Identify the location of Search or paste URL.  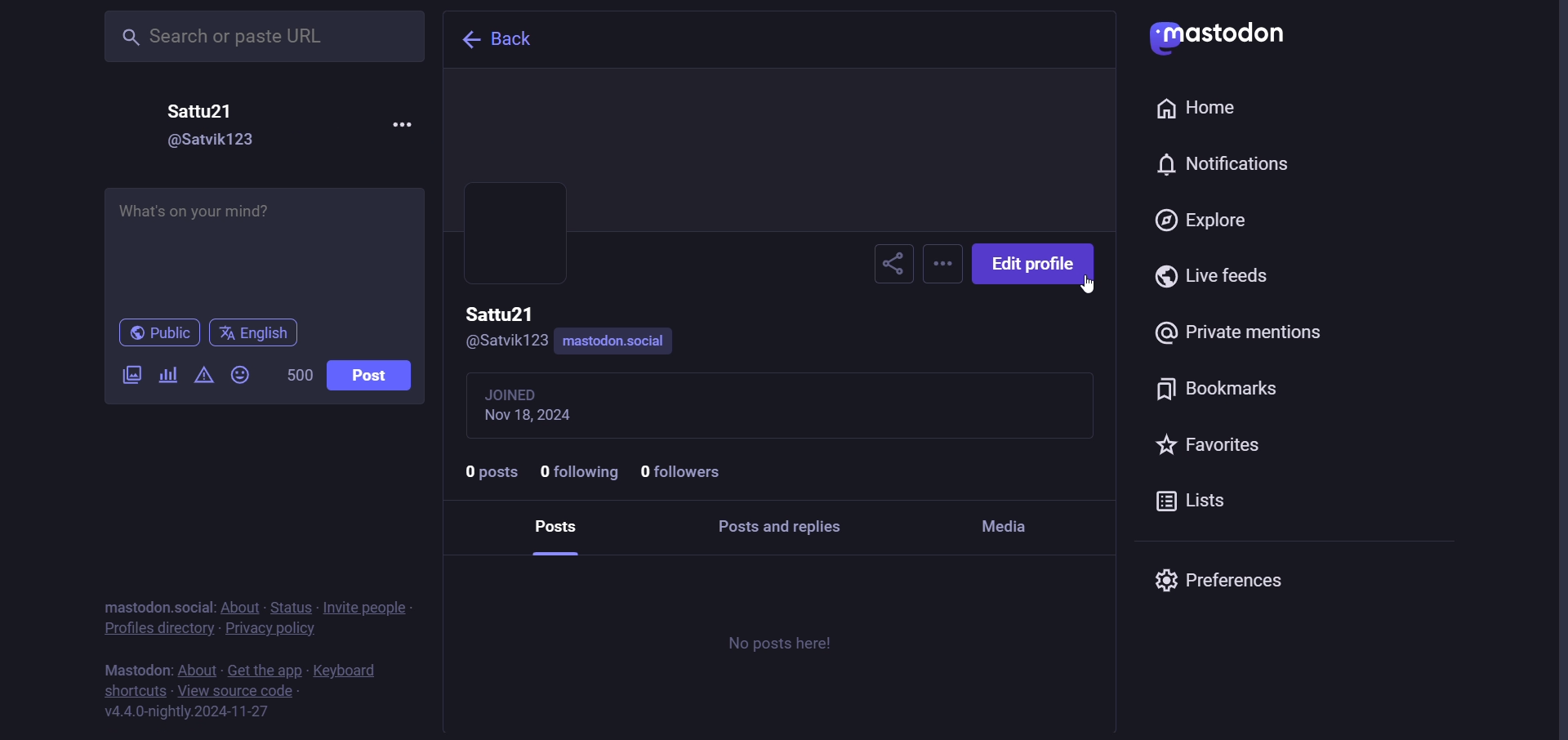
(267, 38).